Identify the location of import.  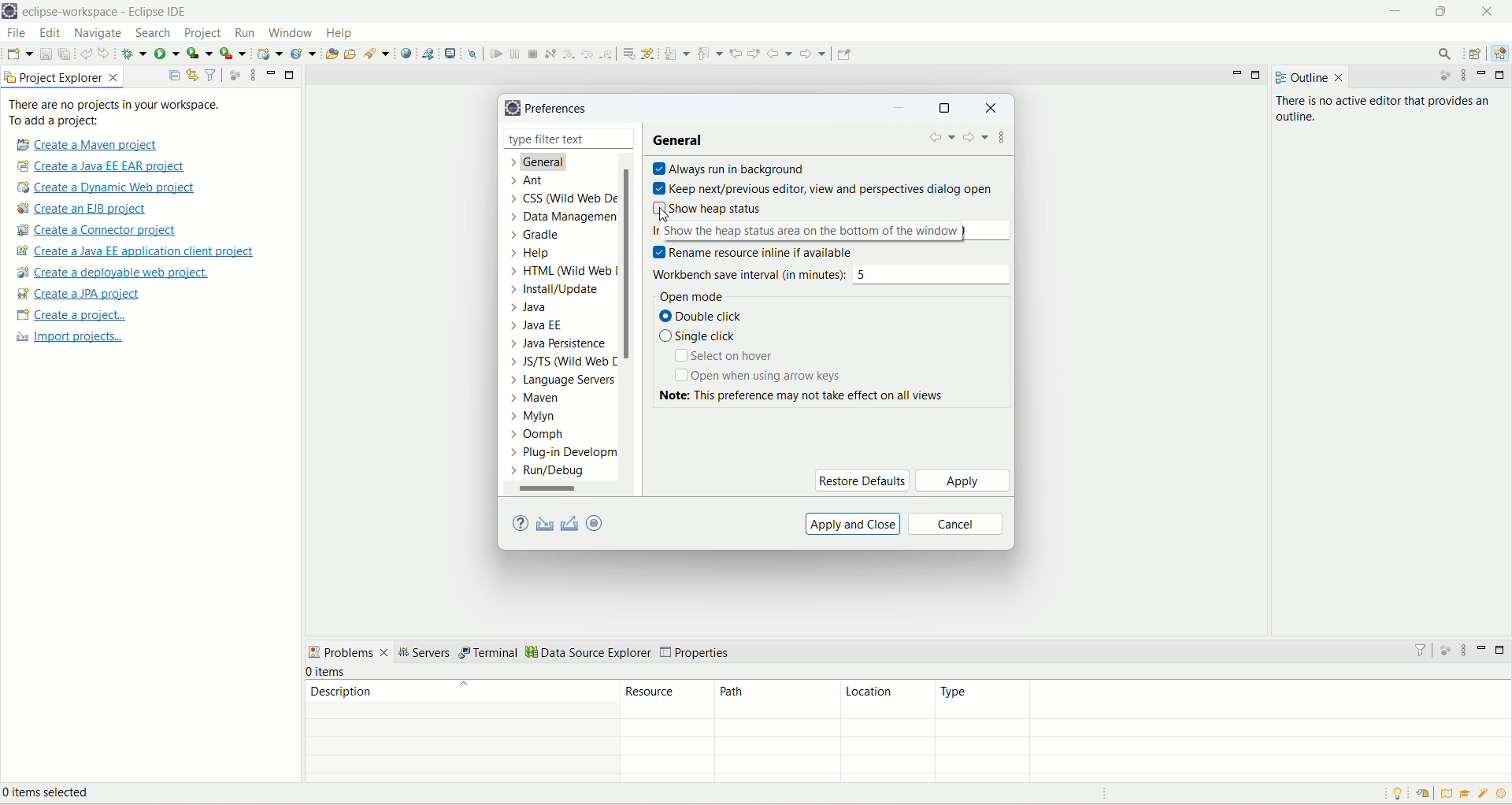
(547, 523).